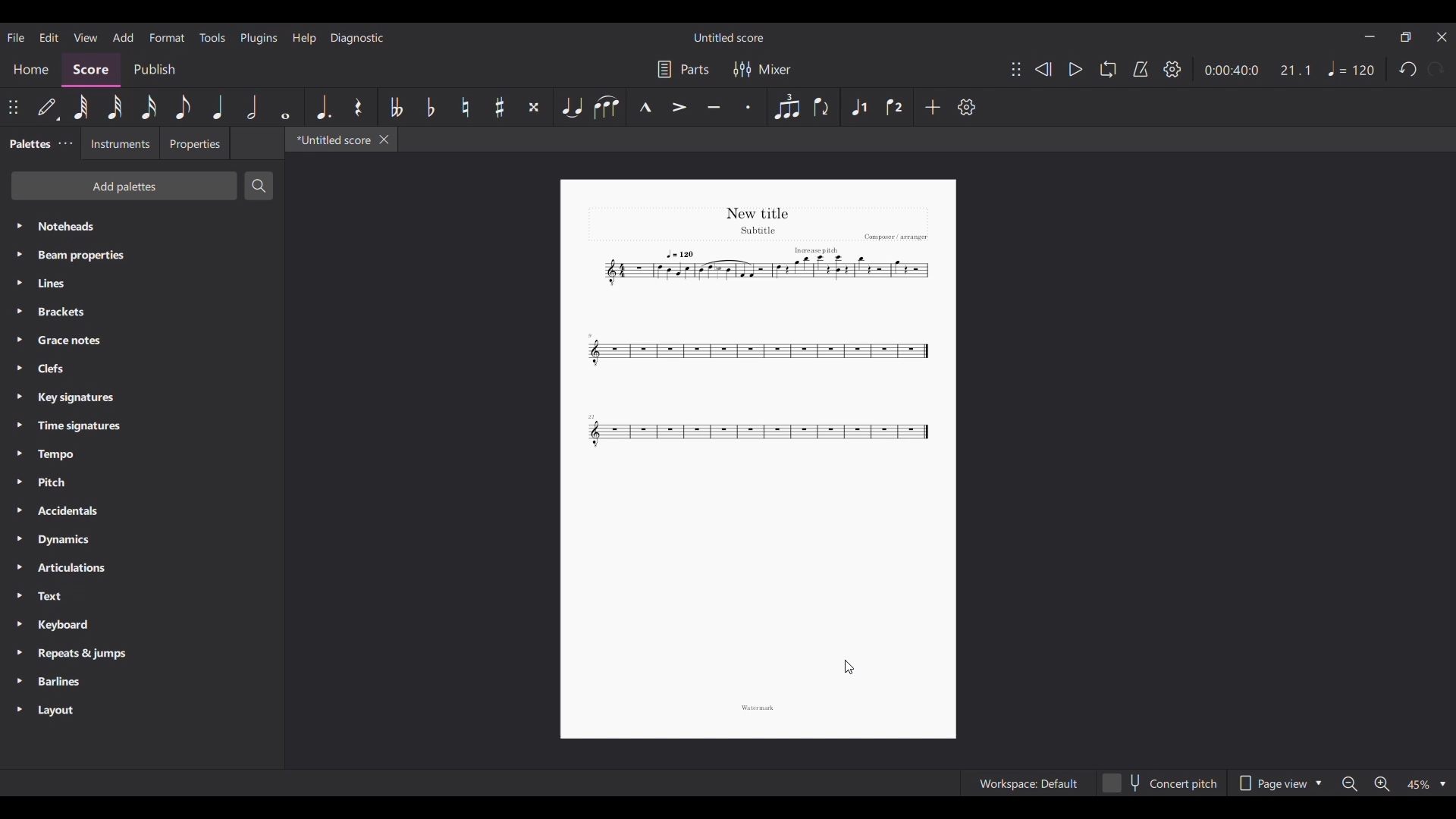 Image resolution: width=1456 pixels, height=819 pixels. I want to click on 63th menu, so click(81, 107).